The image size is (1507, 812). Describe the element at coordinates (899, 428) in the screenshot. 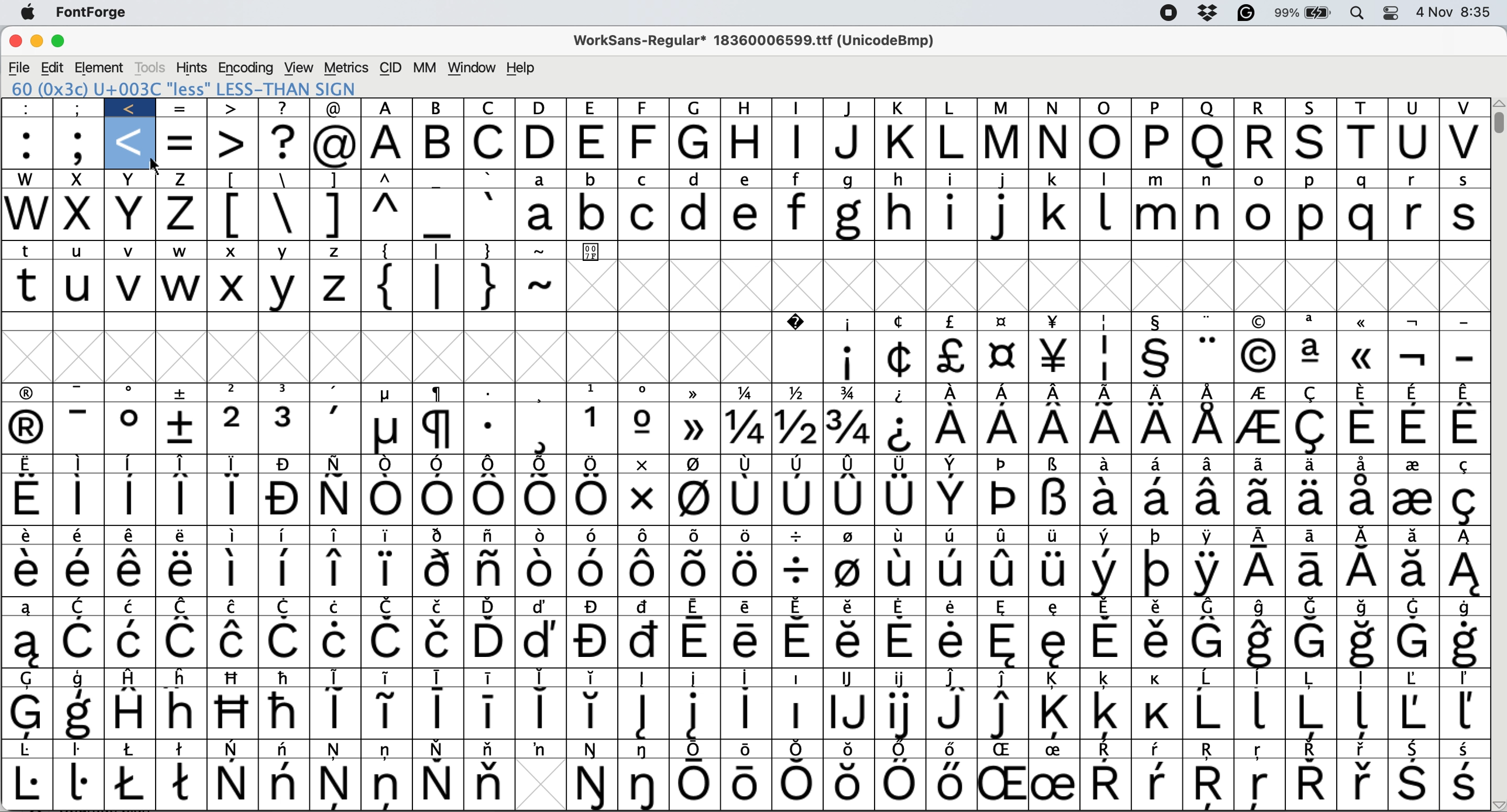

I see `Symbol` at that location.